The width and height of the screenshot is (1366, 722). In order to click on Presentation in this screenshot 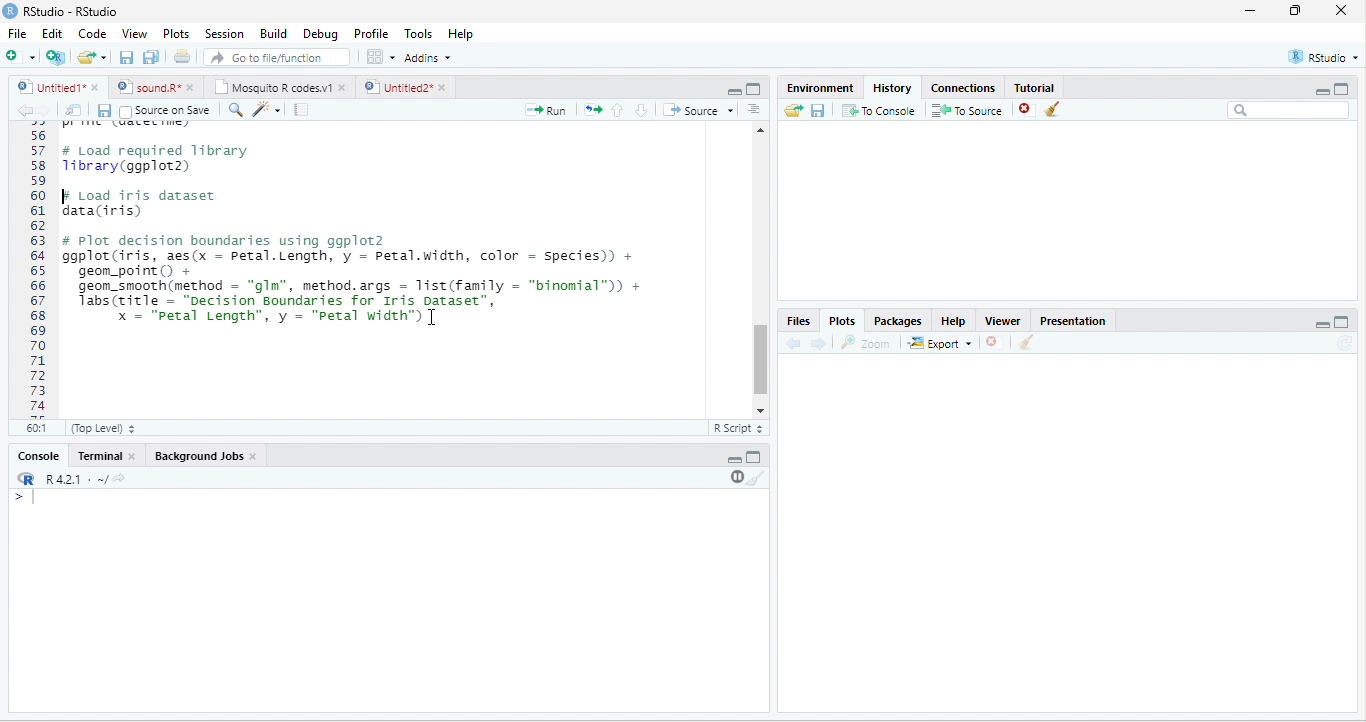, I will do `click(1074, 321)`.